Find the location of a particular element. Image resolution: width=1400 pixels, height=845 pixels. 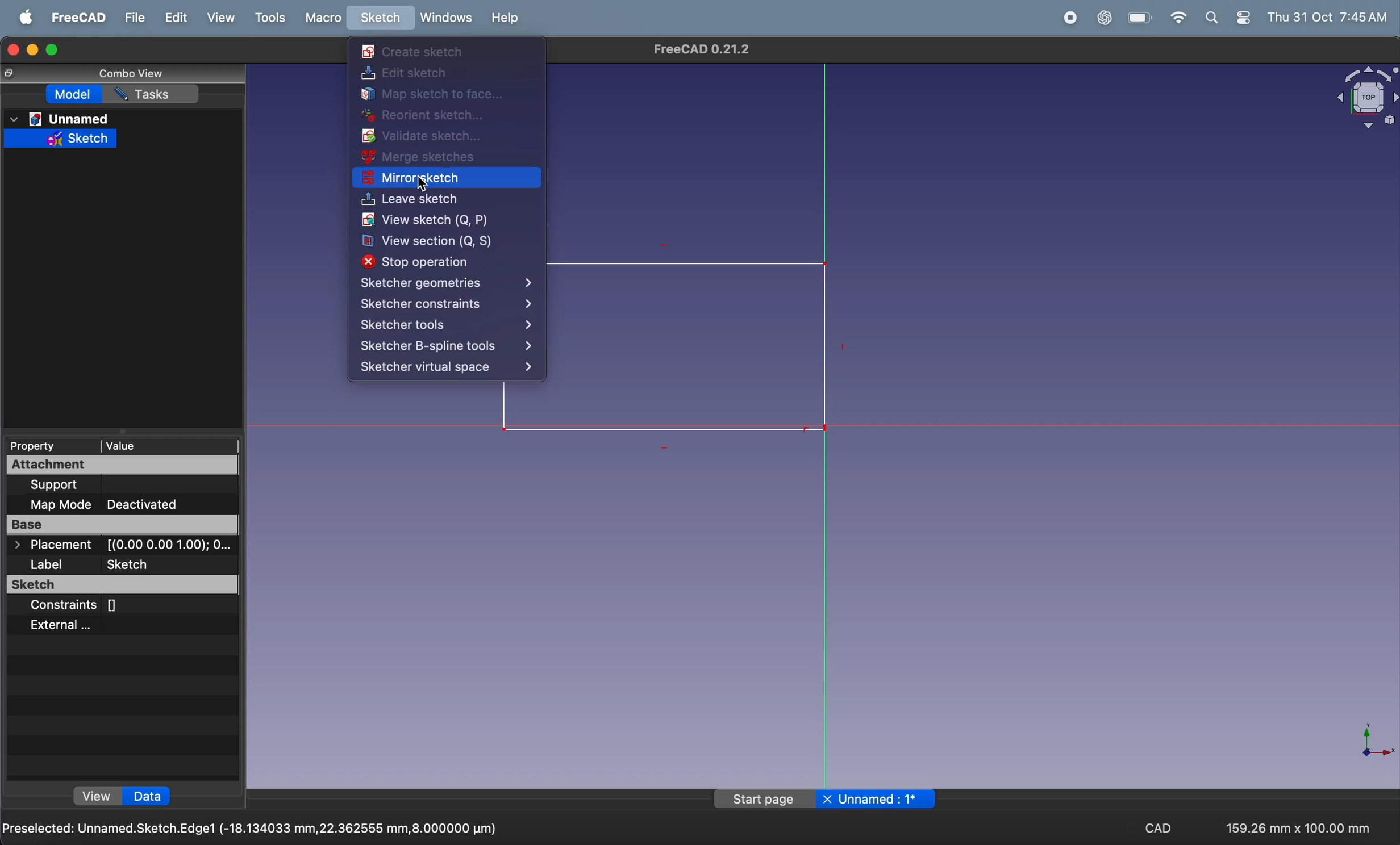

placement is located at coordinates (116, 546).